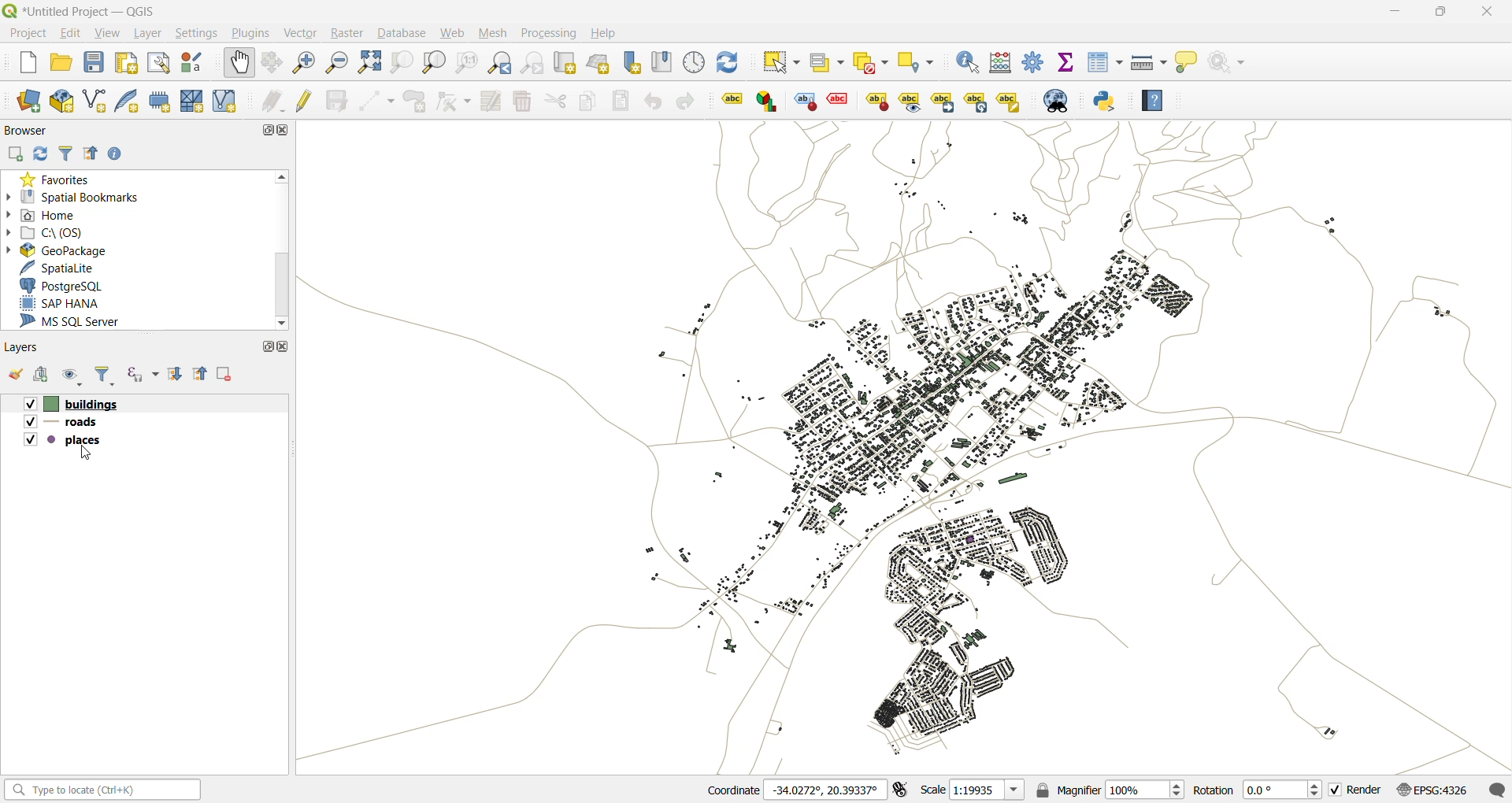  I want to click on zoom native, so click(469, 62).